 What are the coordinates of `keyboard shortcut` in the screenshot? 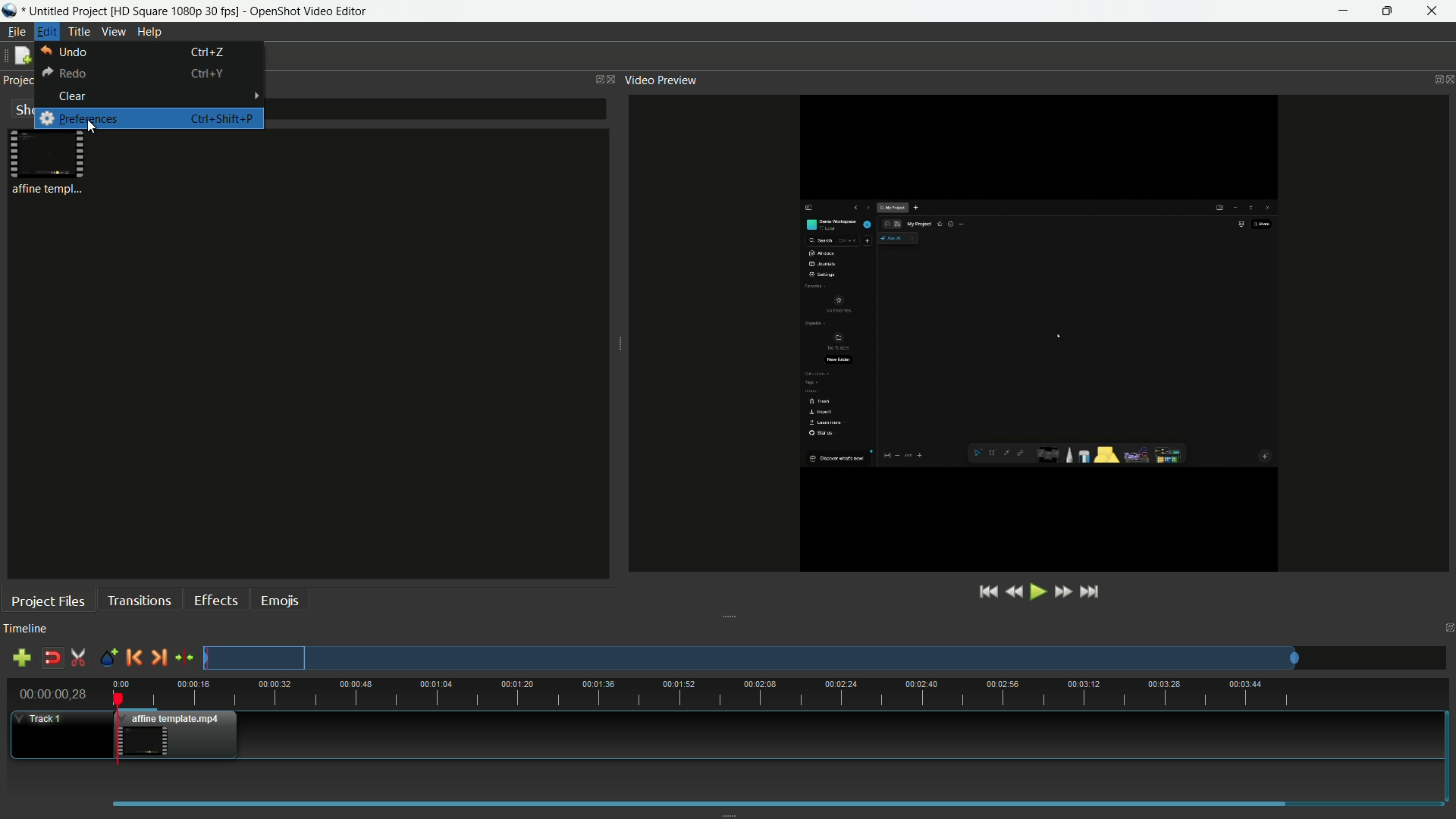 It's located at (209, 74).